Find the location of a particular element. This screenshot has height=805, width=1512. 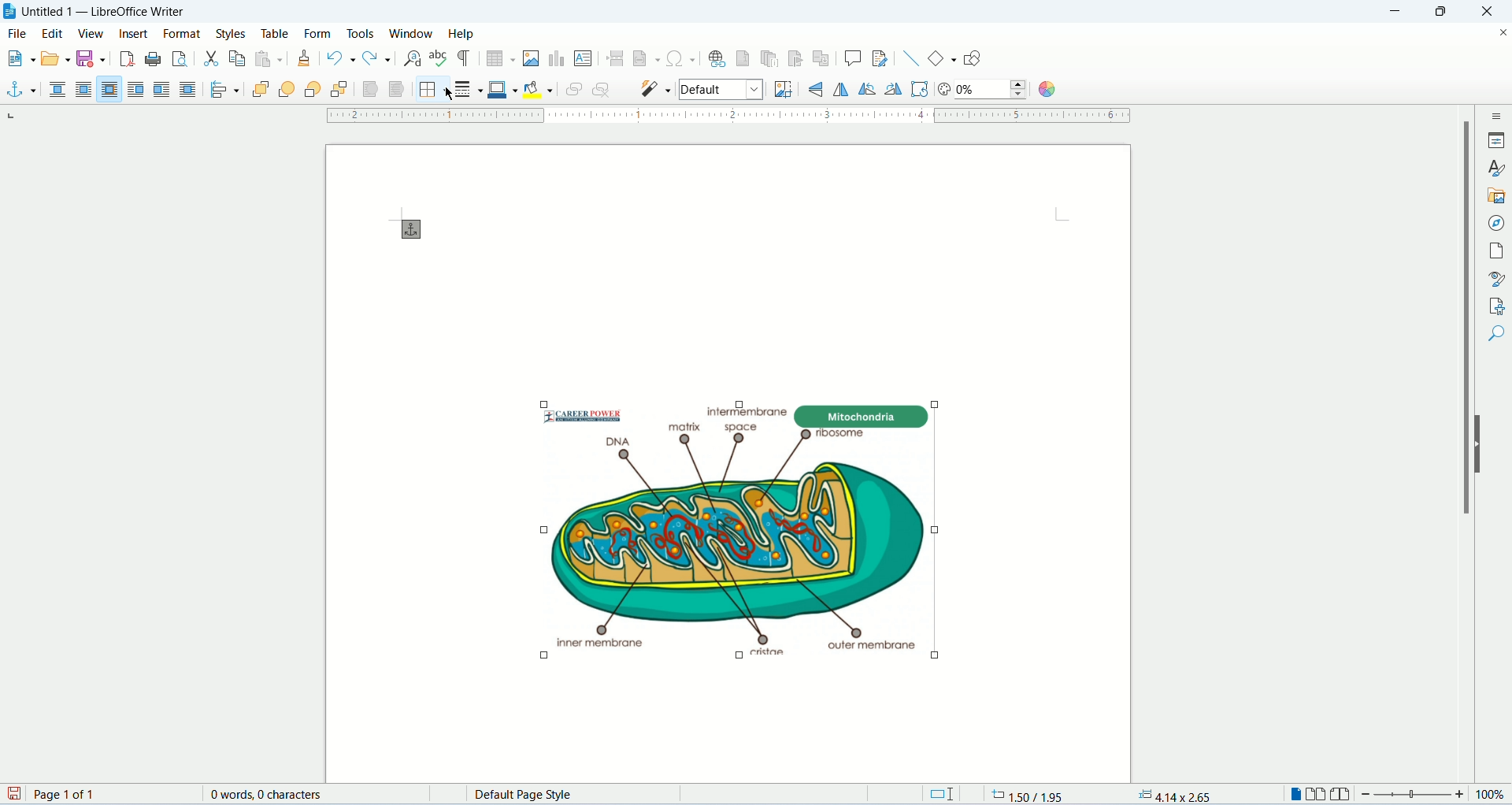

double page view is located at coordinates (1317, 796).